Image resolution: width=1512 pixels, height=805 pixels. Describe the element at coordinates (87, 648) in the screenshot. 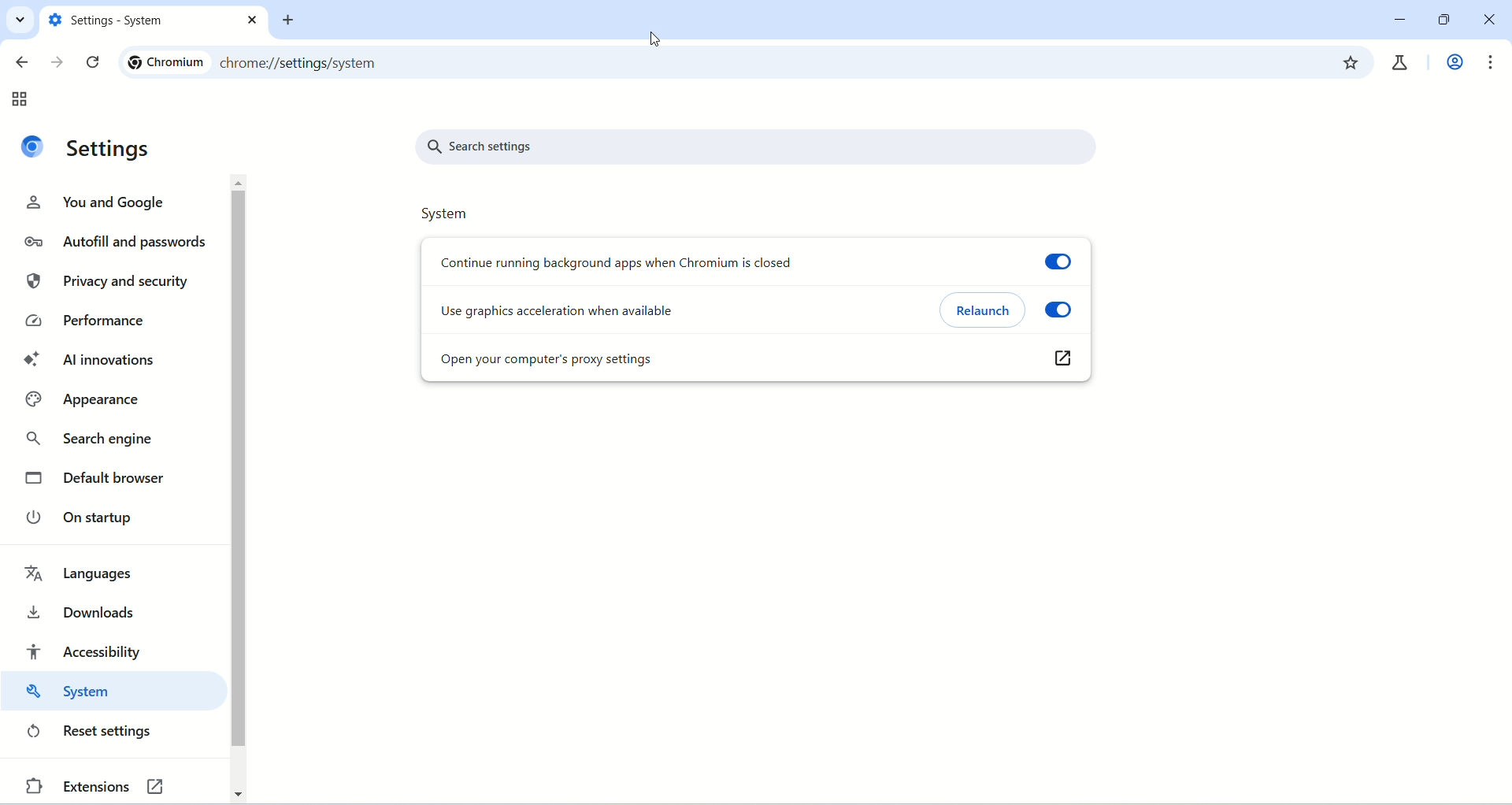

I see `accessibility` at that location.